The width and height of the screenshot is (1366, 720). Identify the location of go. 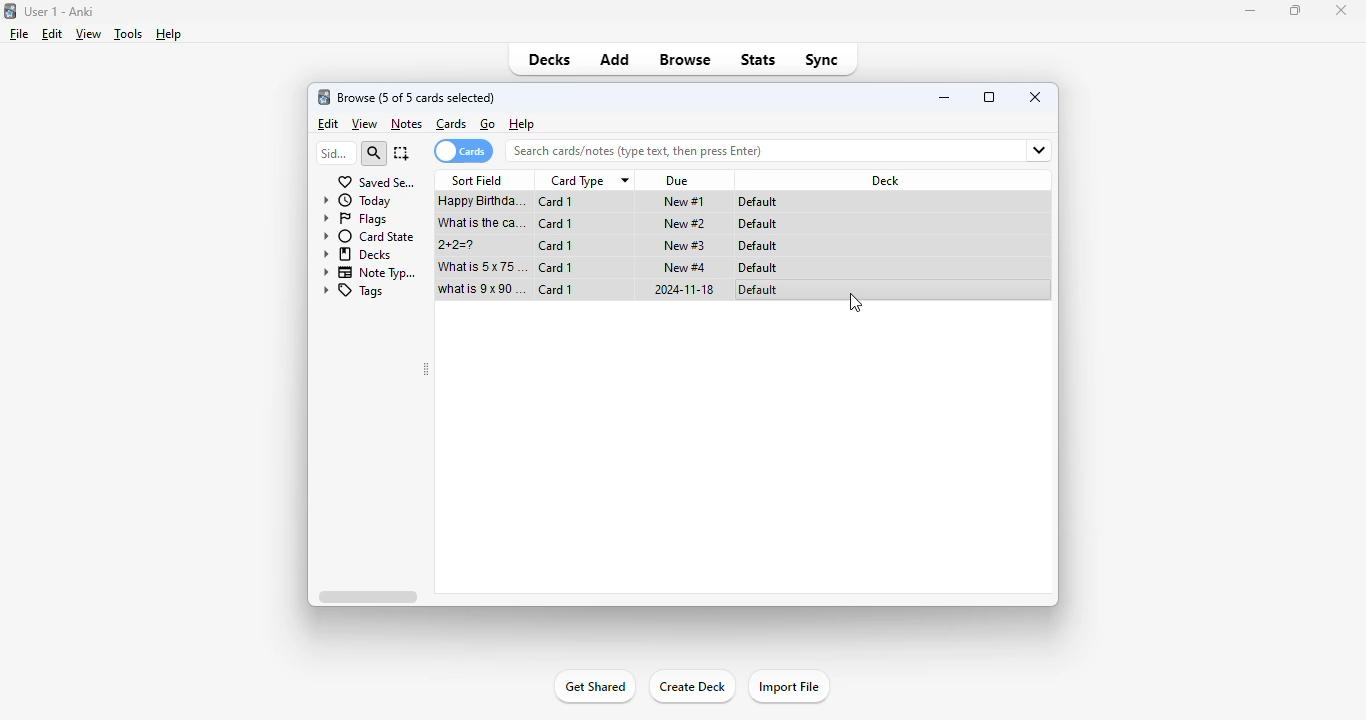
(488, 124).